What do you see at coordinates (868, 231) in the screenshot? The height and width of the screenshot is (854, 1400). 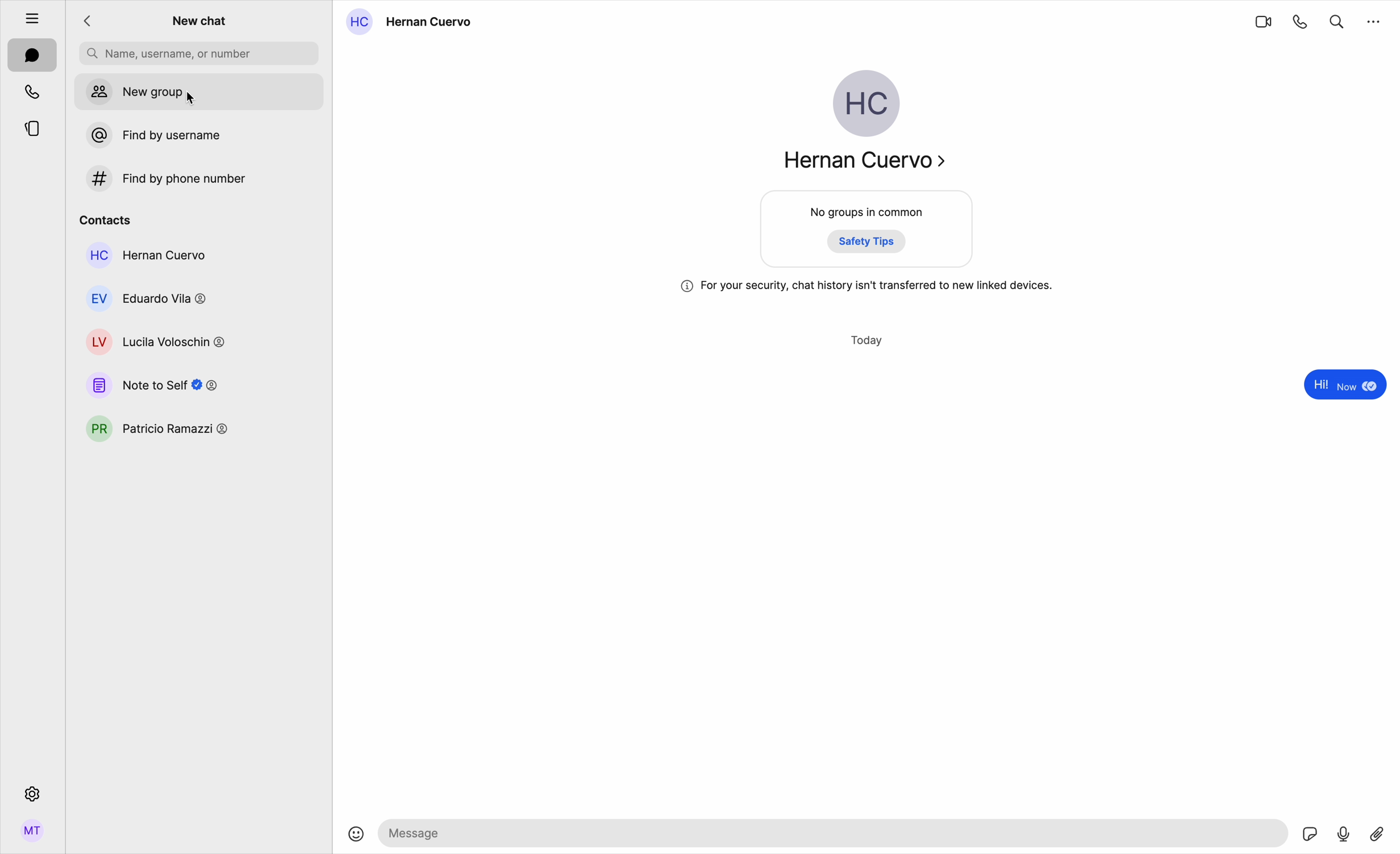 I see `no groups in common` at bounding box center [868, 231].